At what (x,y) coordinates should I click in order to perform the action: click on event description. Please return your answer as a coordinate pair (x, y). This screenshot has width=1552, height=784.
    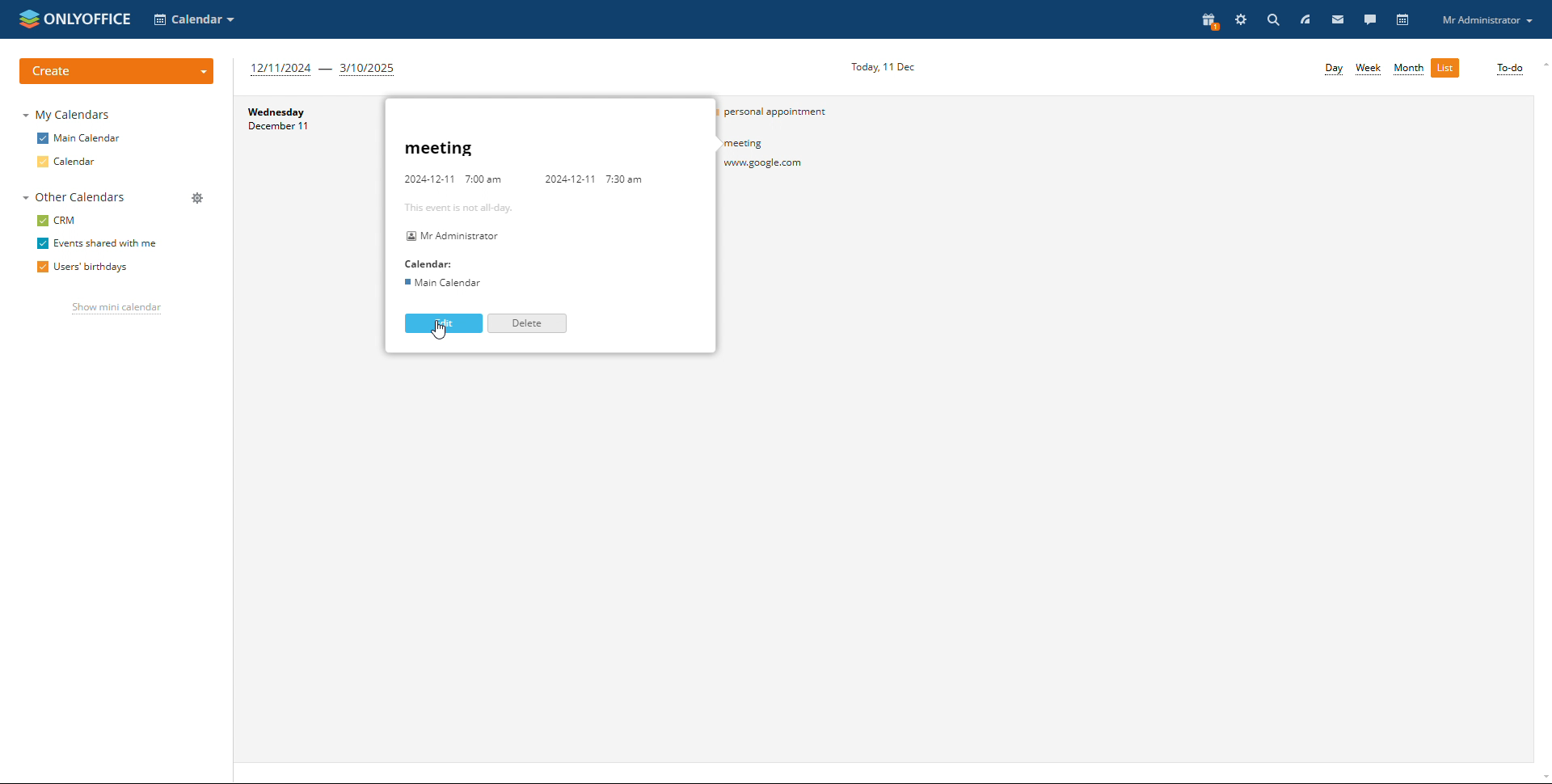
    Looking at the image, I should click on (522, 216).